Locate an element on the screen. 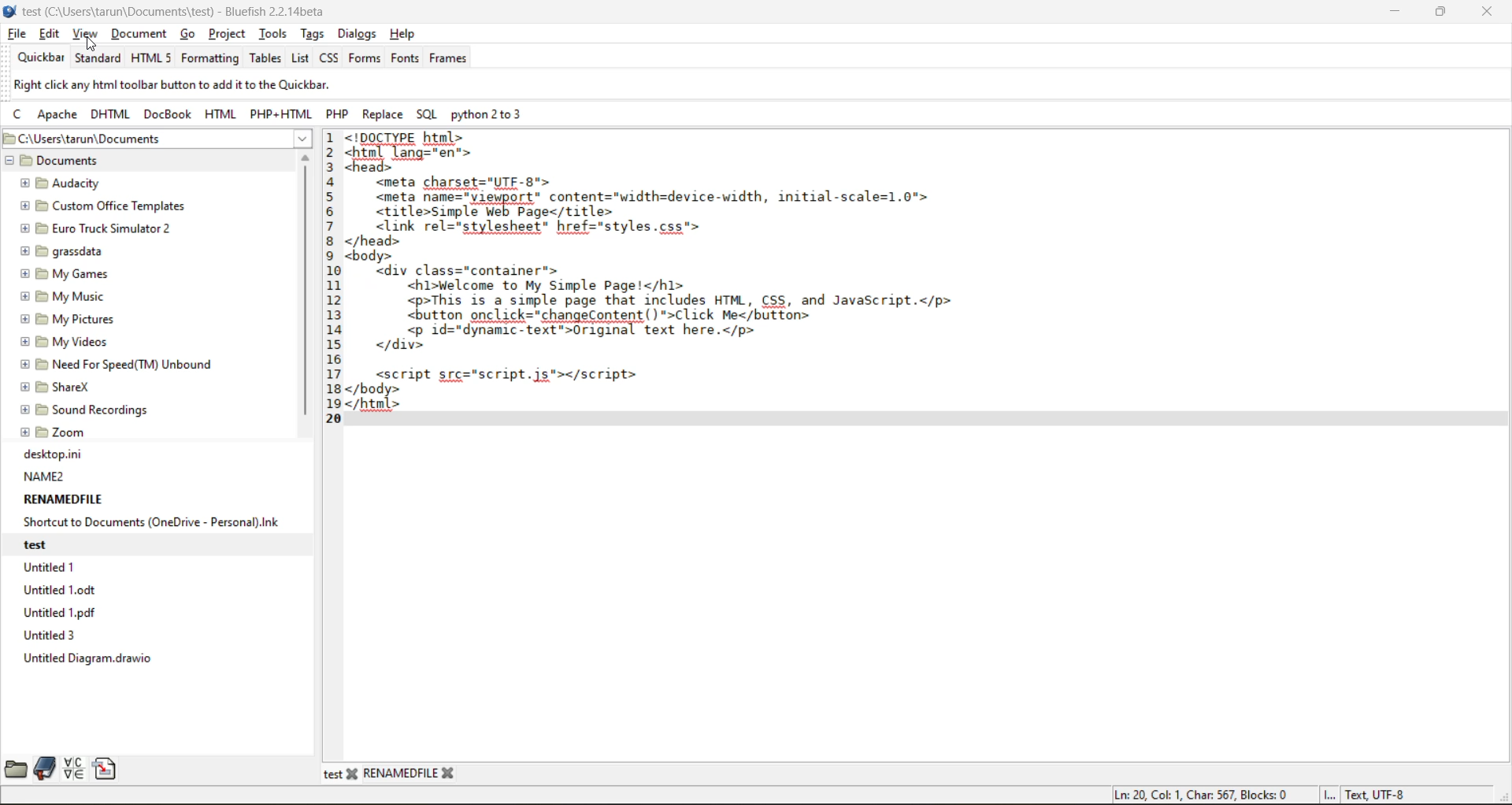  test is located at coordinates (55, 543).